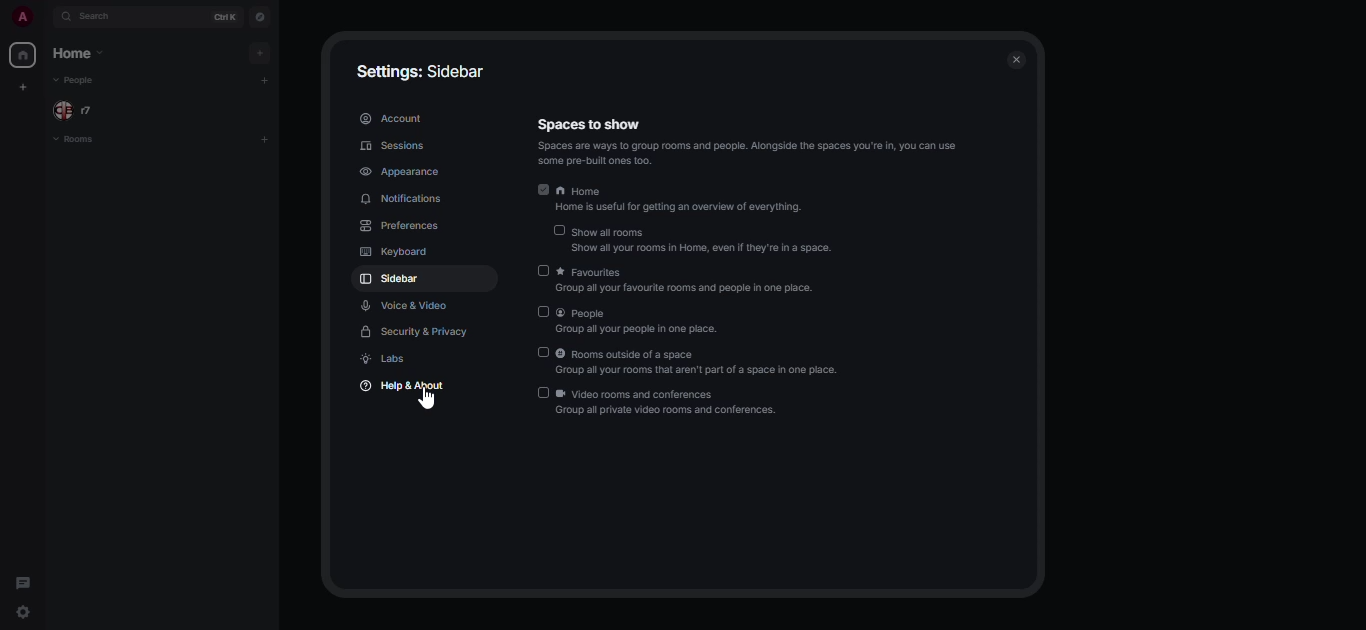 This screenshot has width=1366, height=630. What do you see at coordinates (669, 199) in the screenshot?
I see `Home is useful for getting an overview of everything.` at bounding box center [669, 199].